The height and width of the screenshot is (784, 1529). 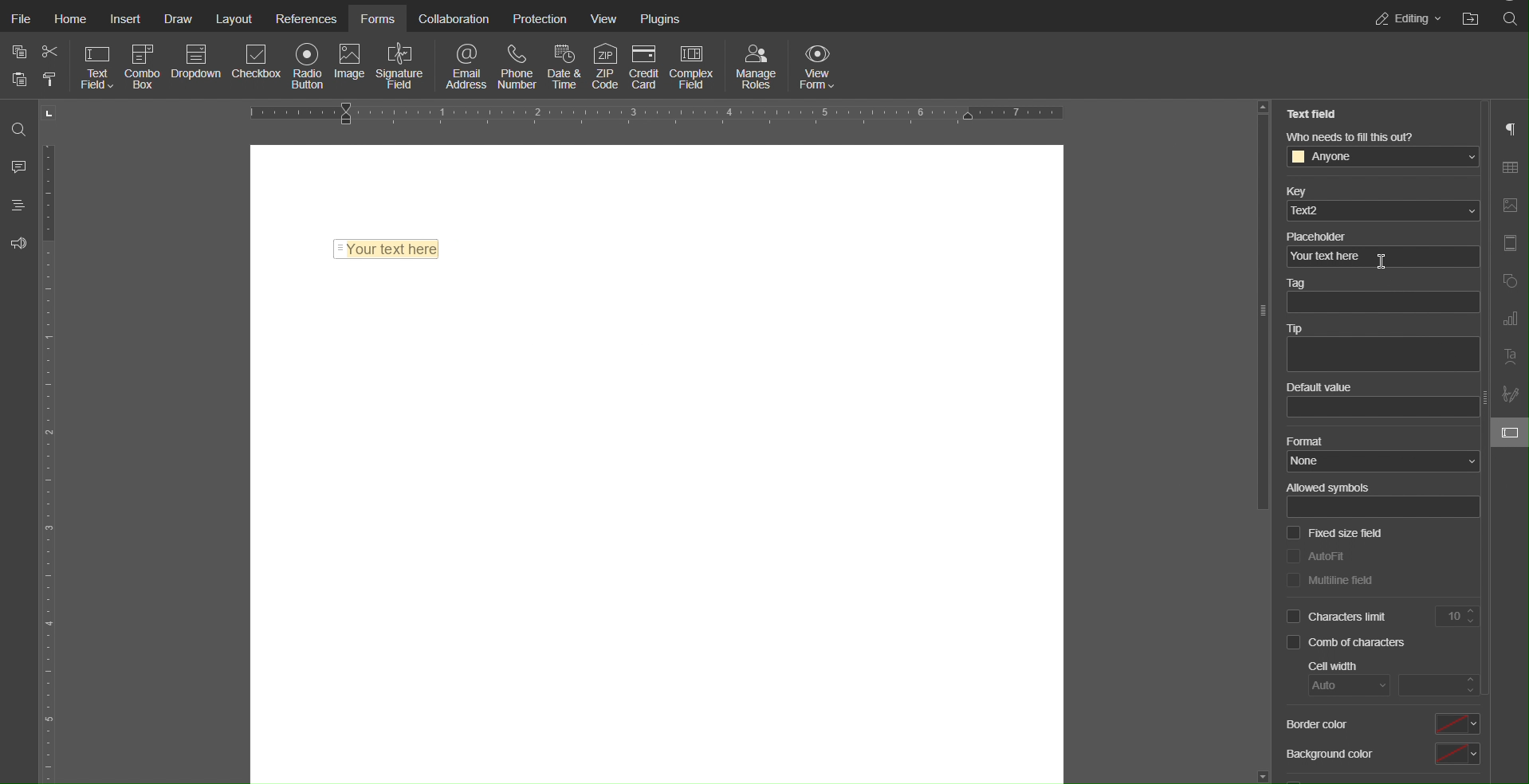 I want to click on Allowed symbols, so click(x=1384, y=500).